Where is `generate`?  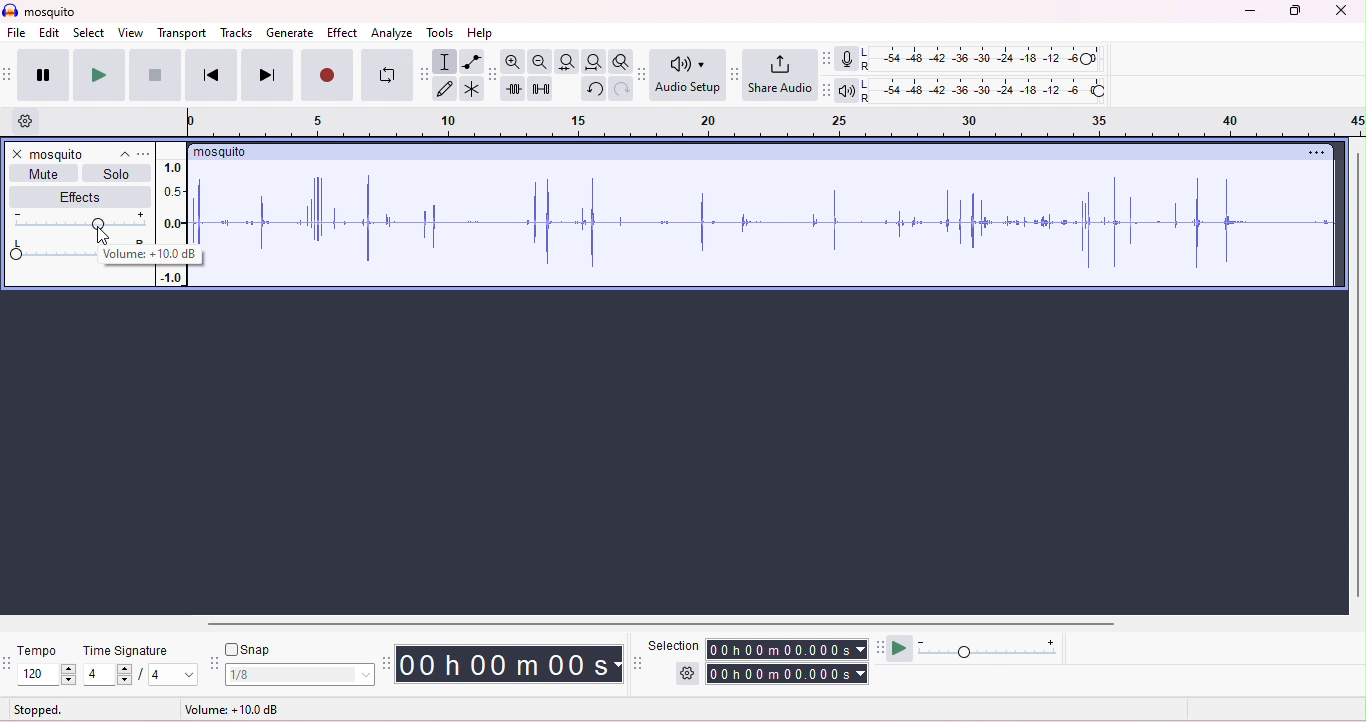
generate is located at coordinates (290, 32).